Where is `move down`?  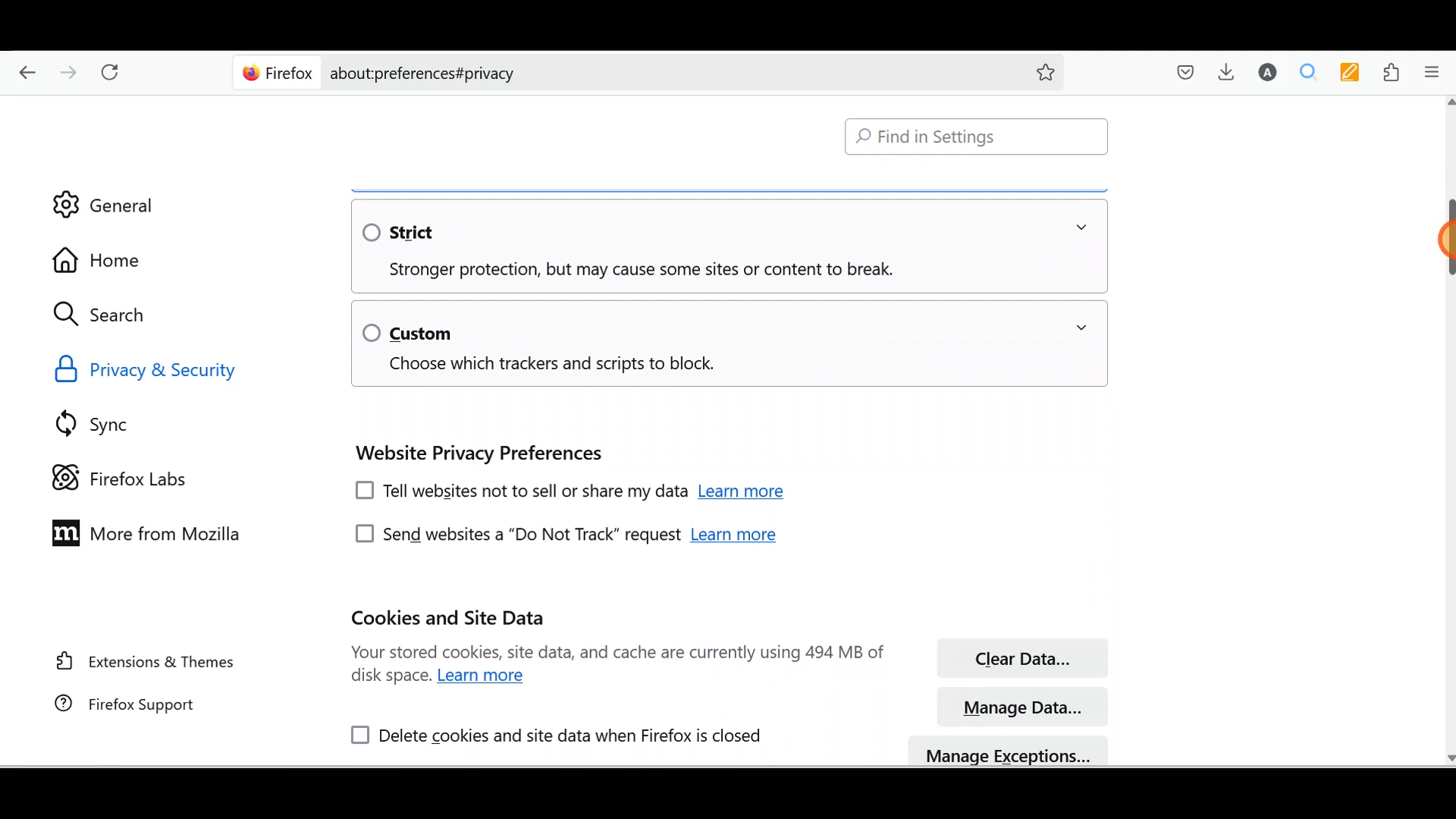
move down is located at coordinates (1447, 756).